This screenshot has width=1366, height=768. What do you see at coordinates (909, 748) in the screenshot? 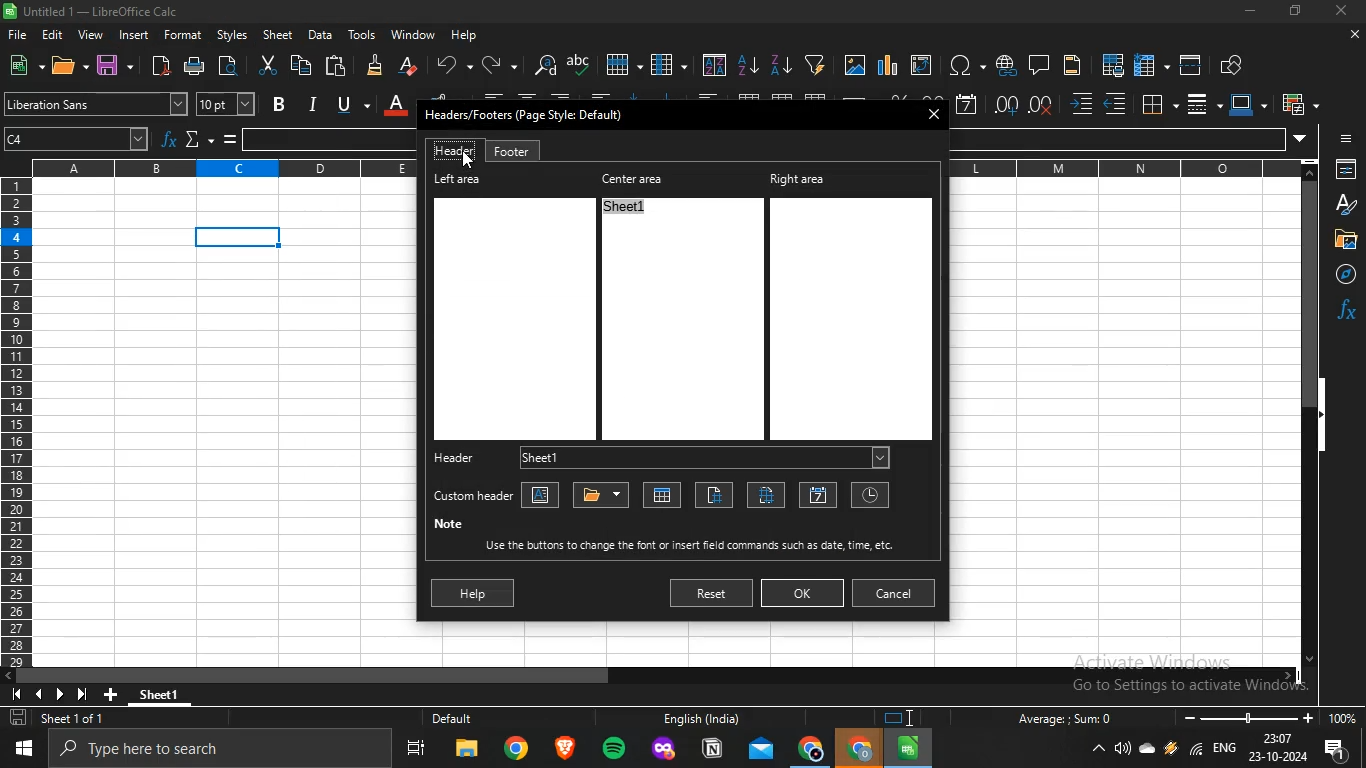
I see `libreoffice calc` at bounding box center [909, 748].